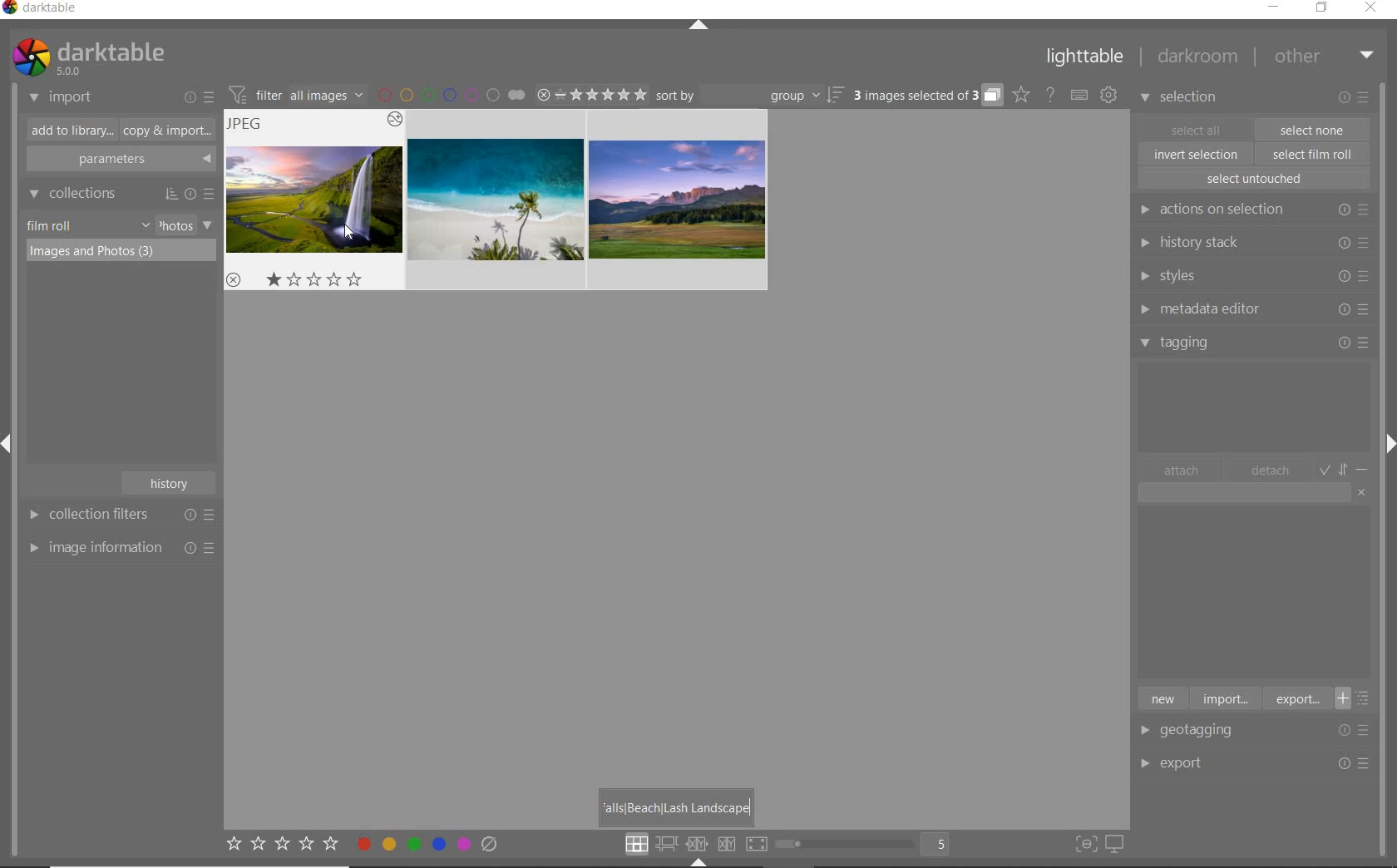 The height and width of the screenshot is (868, 1397). What do you see at coordinates (1252, 277) in the screenshot?
I see `styles` at bounding box center [1252, 277].